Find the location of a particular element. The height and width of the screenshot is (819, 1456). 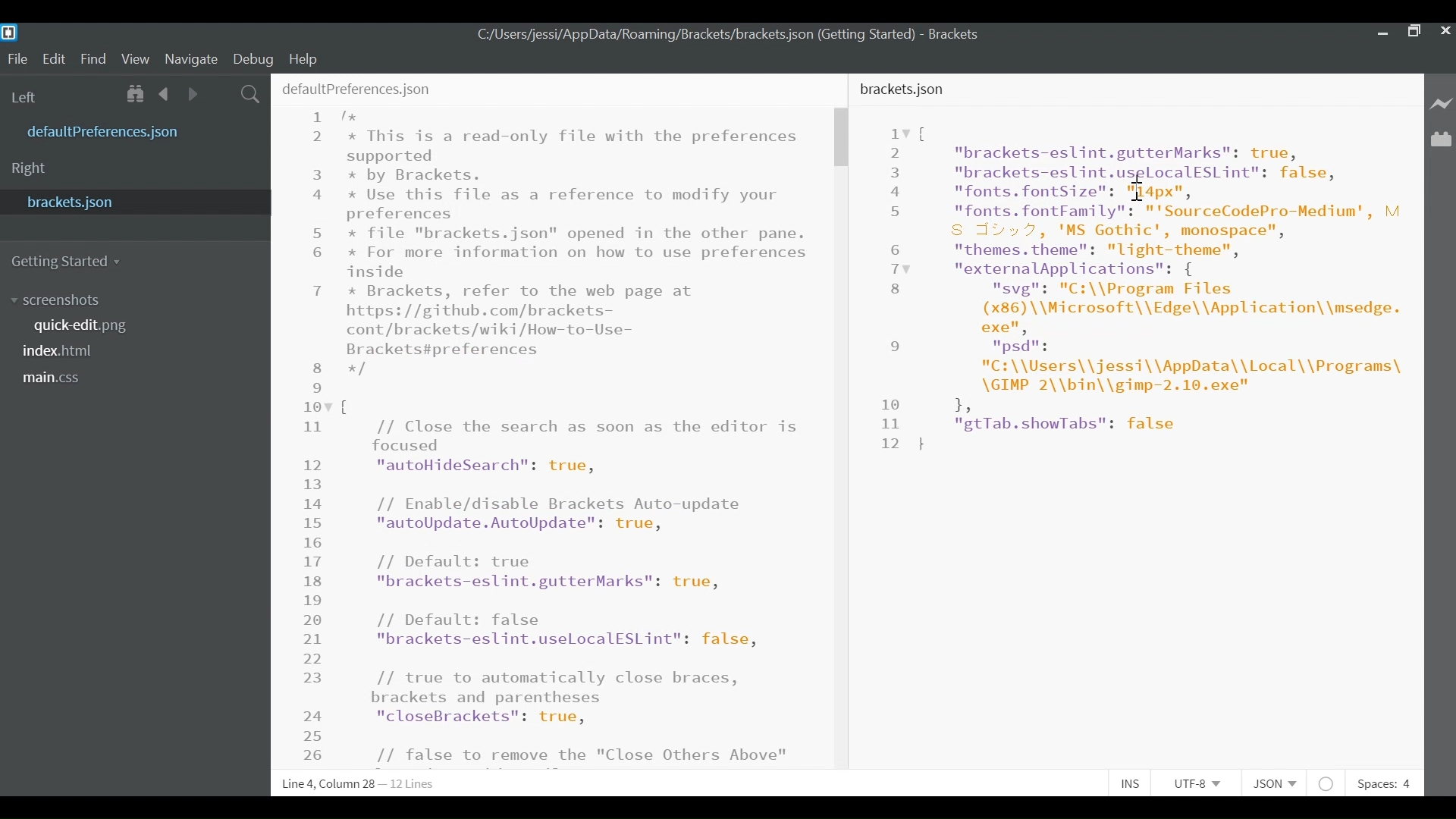

Navigate is located at coordinates (190, 60).